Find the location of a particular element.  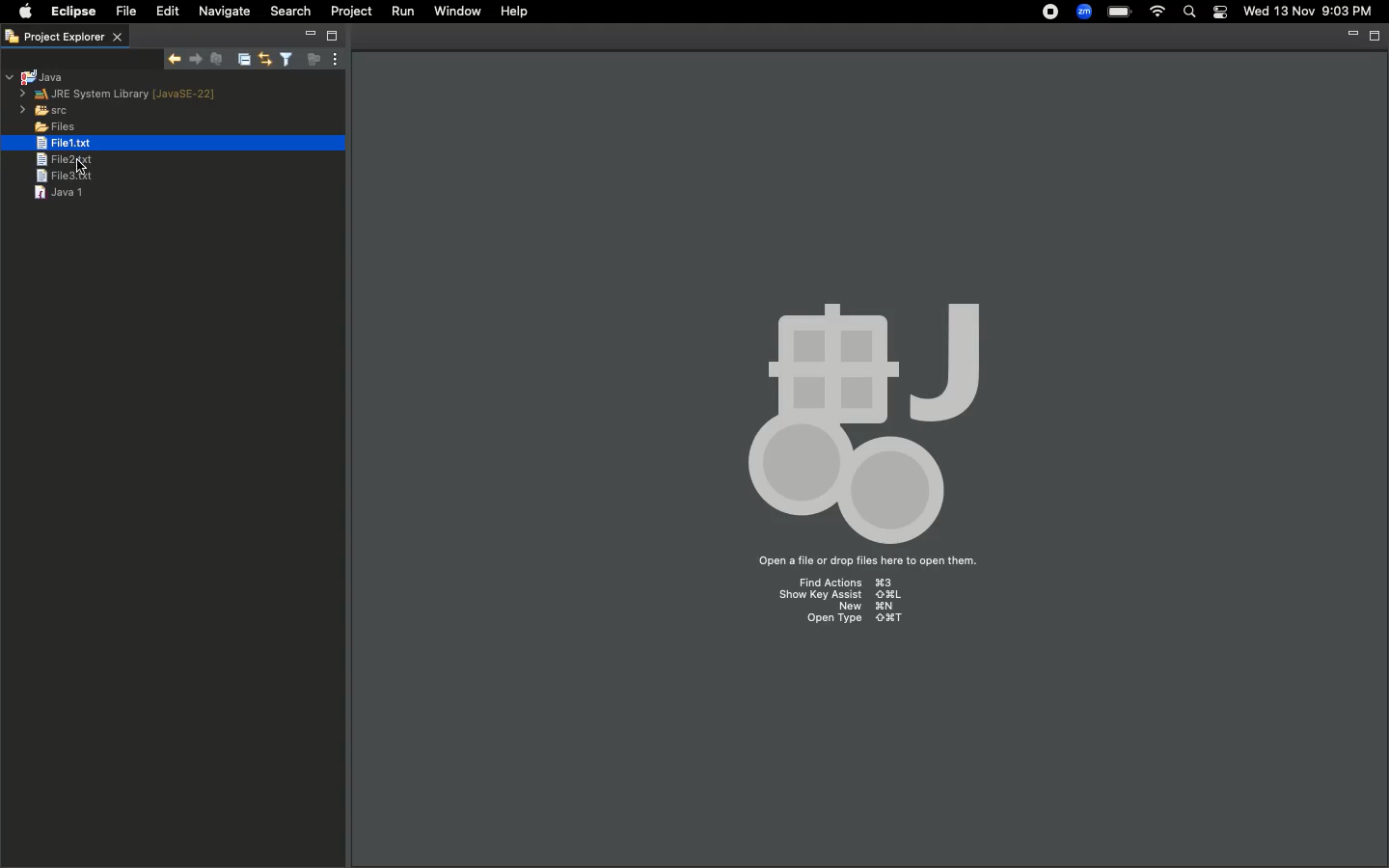

Open a file or drop files here is located at coordinates (865, 562).